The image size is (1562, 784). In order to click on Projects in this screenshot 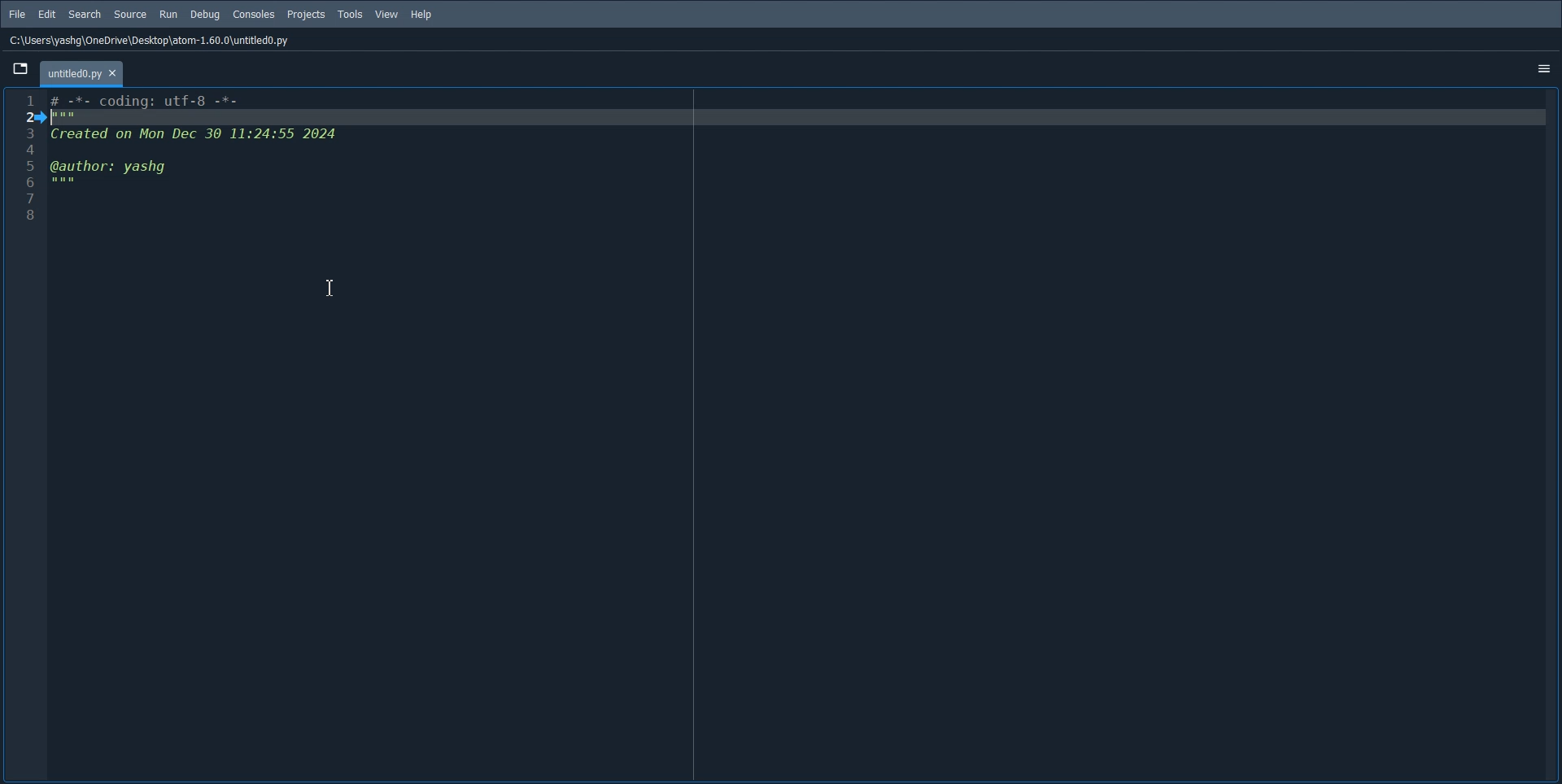, I will do `click(306, 15)`.